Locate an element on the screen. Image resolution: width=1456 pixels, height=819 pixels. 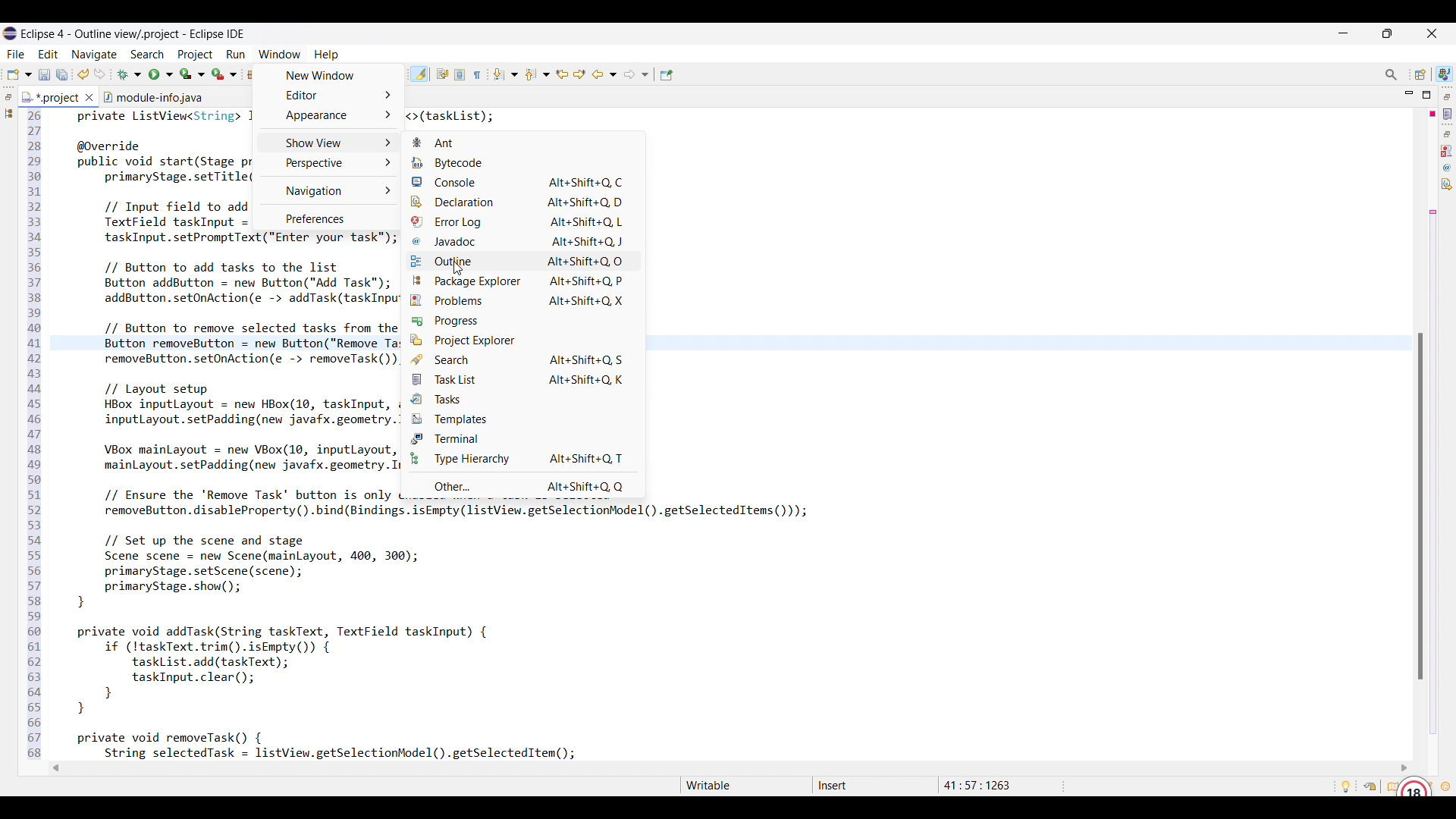
Close tab is located at coordinates (89, 97).